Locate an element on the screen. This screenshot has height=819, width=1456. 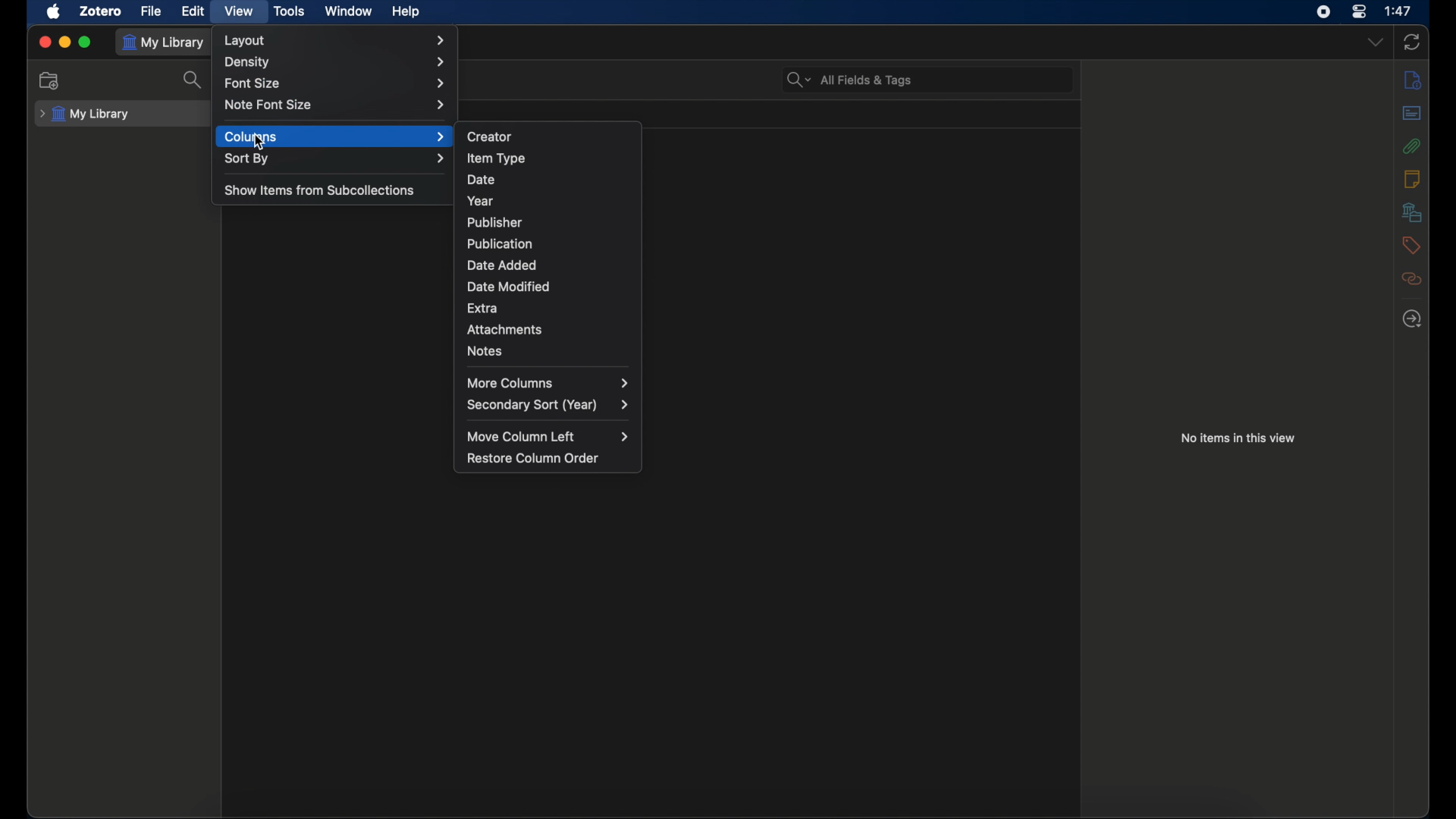
locate is located at coordinates (1412, 318).